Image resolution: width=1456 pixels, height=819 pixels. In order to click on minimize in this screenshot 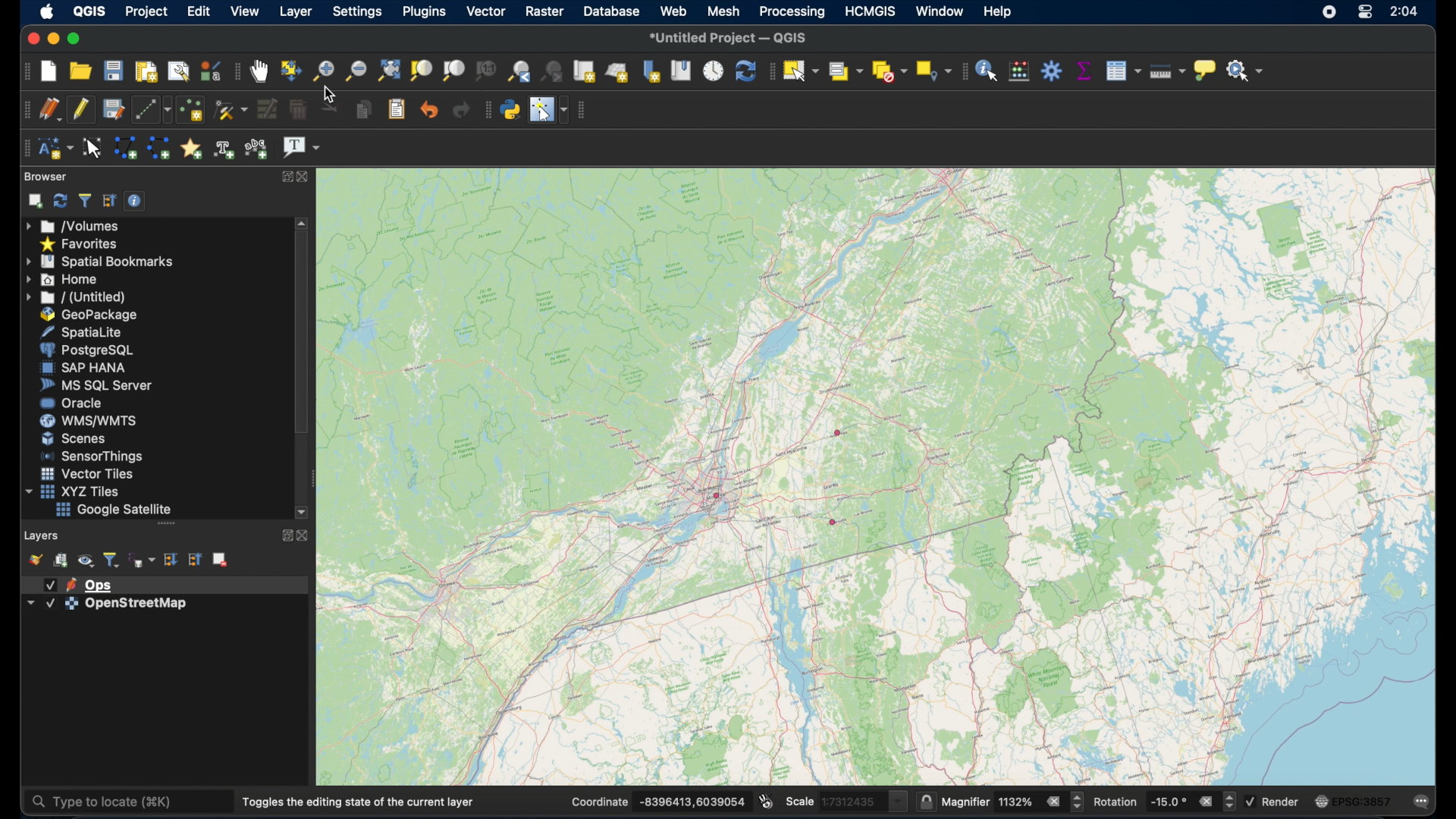, I will do `click(52, 39)`.